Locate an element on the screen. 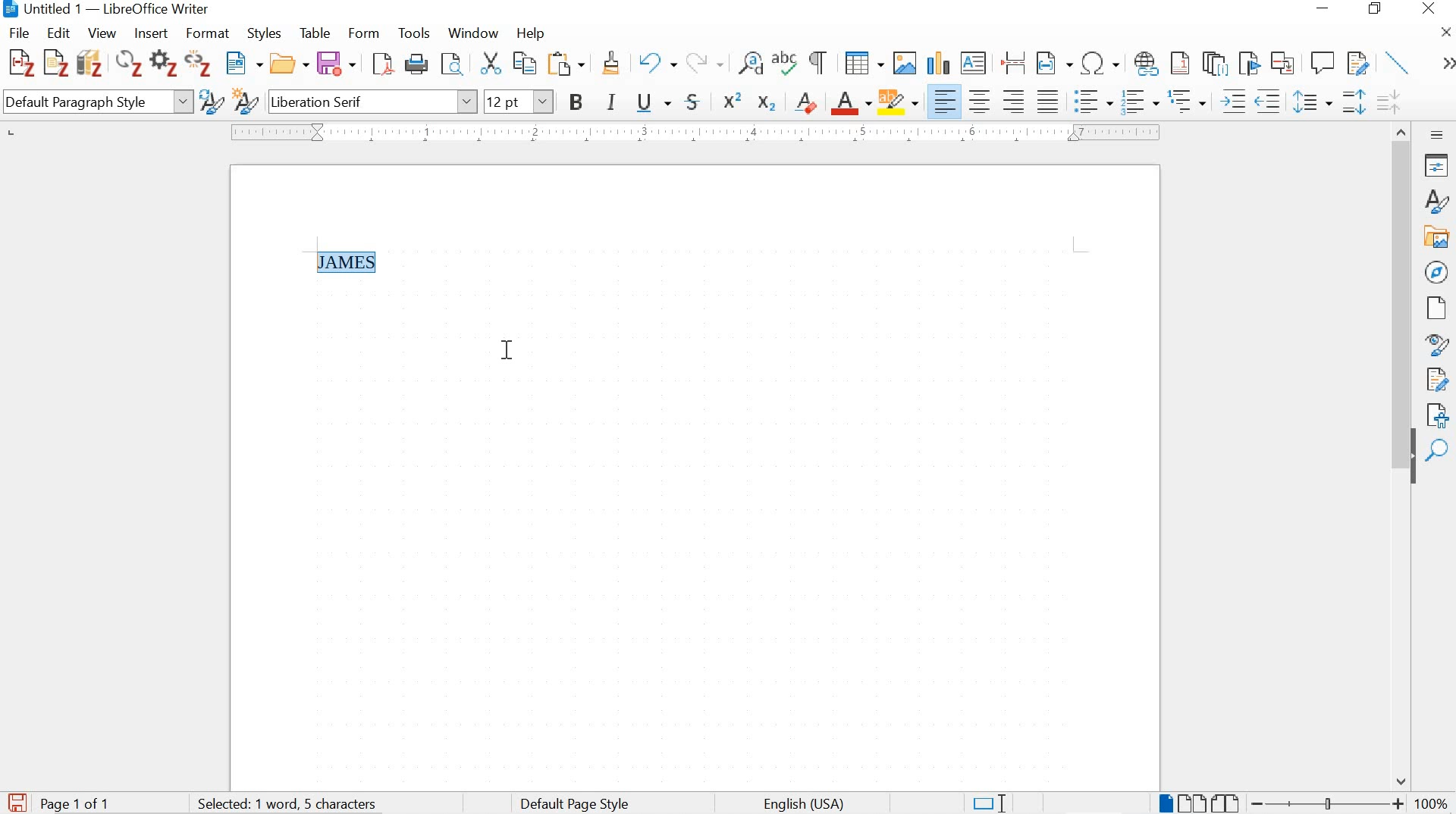 Image resolution: width=1456 pixels, height=814 pixels. font color is located at coordinates (852, 104).